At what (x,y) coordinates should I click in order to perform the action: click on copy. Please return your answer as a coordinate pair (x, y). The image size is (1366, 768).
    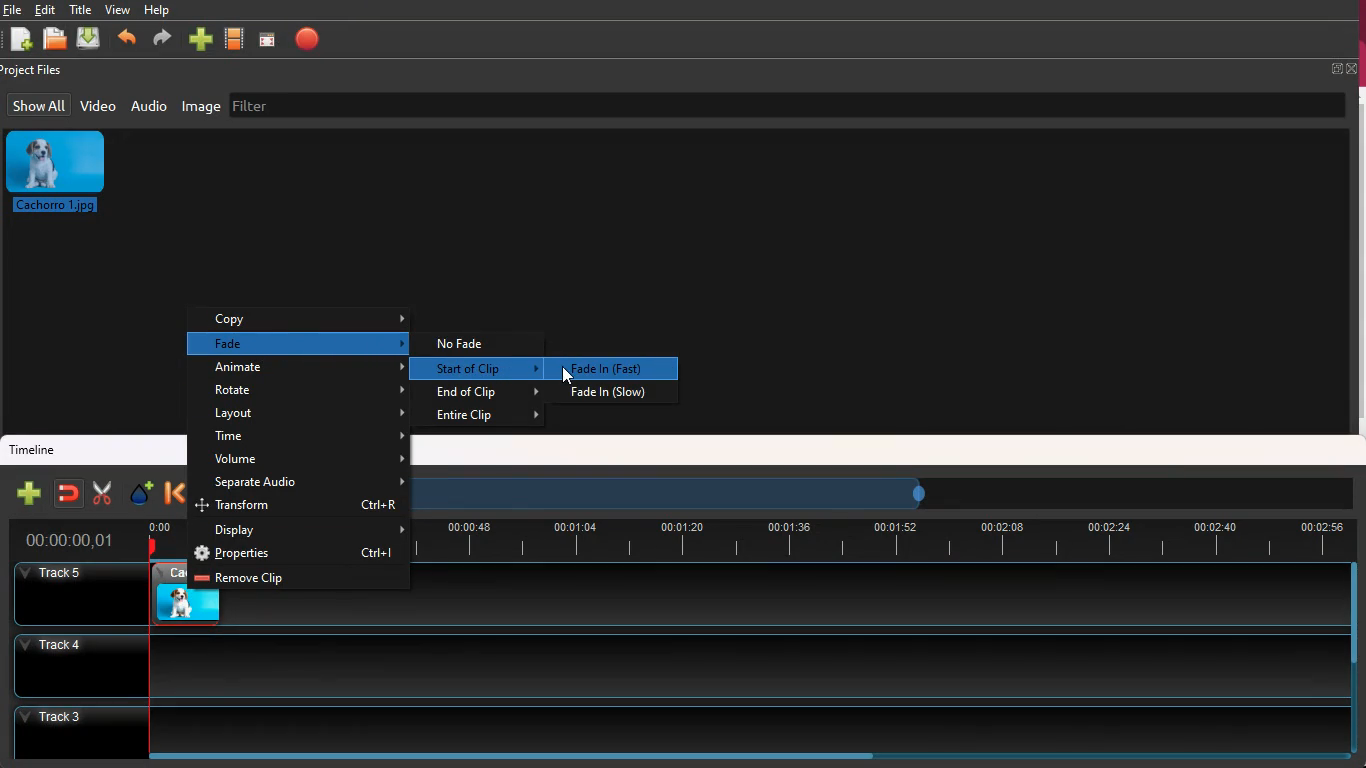
    Looking at the image, I should click on (310, 320).